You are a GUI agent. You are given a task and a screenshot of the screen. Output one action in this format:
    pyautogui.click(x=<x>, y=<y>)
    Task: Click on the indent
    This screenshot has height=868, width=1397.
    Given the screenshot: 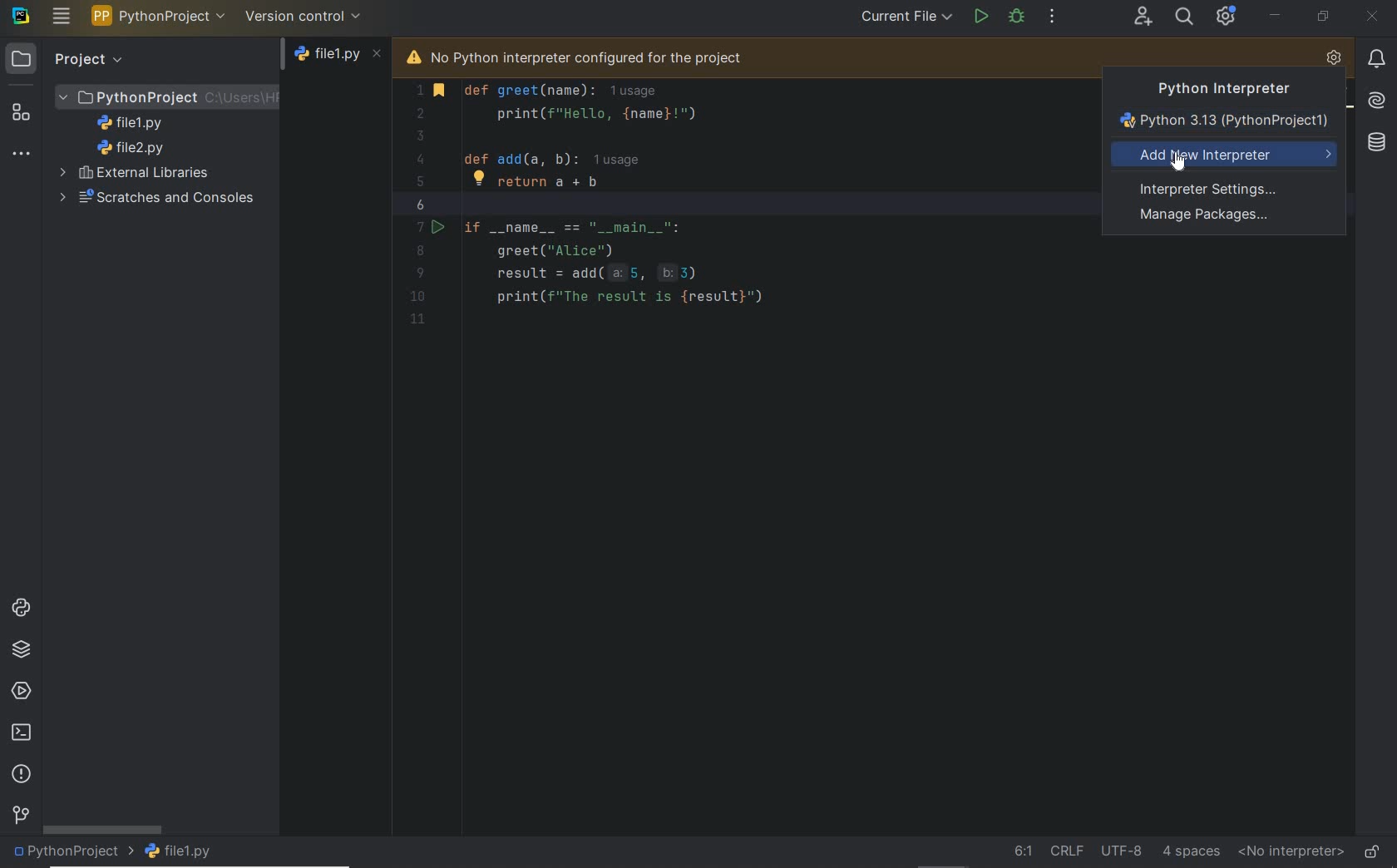 What is the action you would take?
    pyautogui.click(x=1192, y=851)
    